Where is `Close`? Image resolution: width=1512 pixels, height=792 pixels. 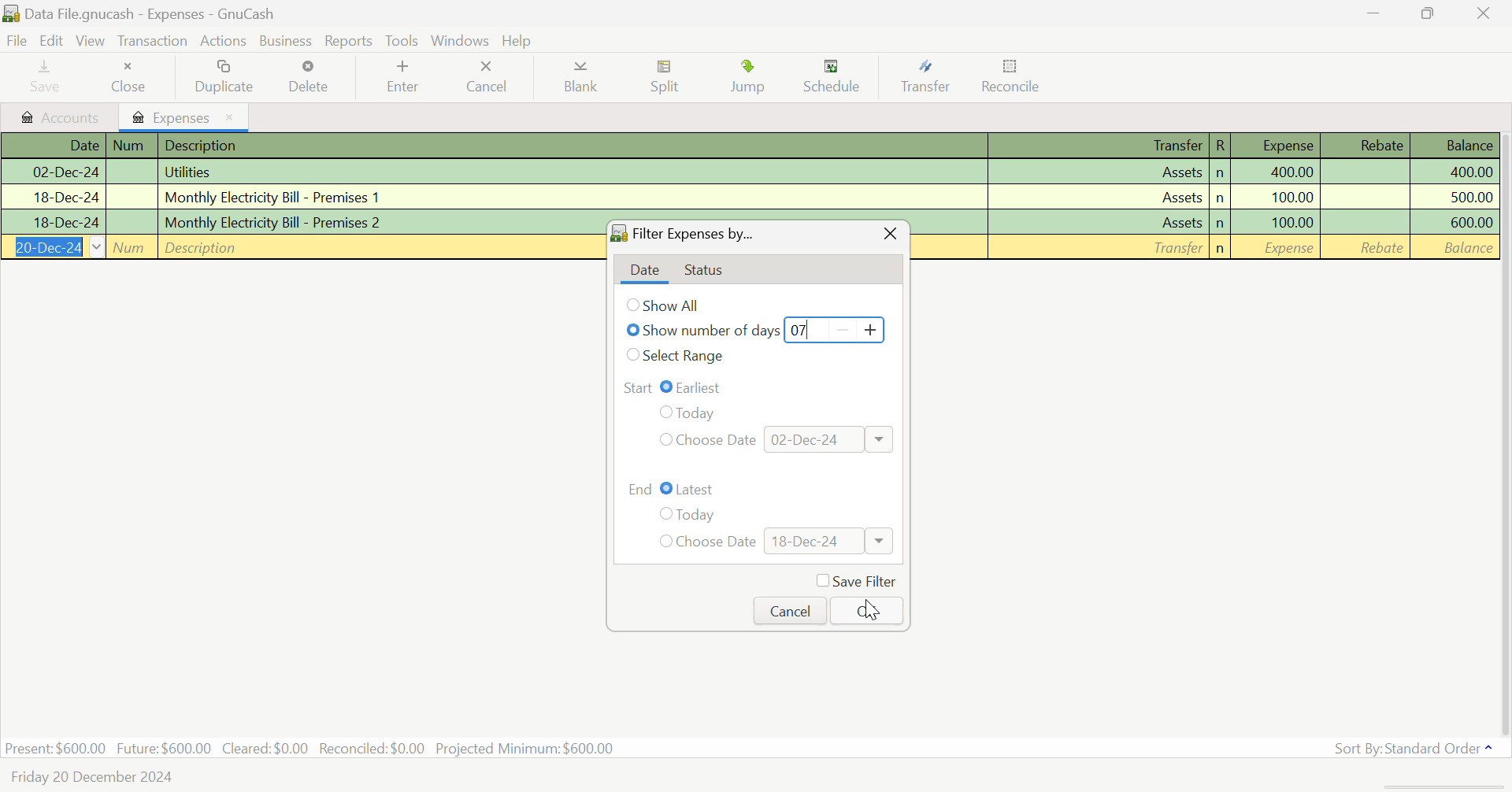 Close is located at coordinates (889, 235).